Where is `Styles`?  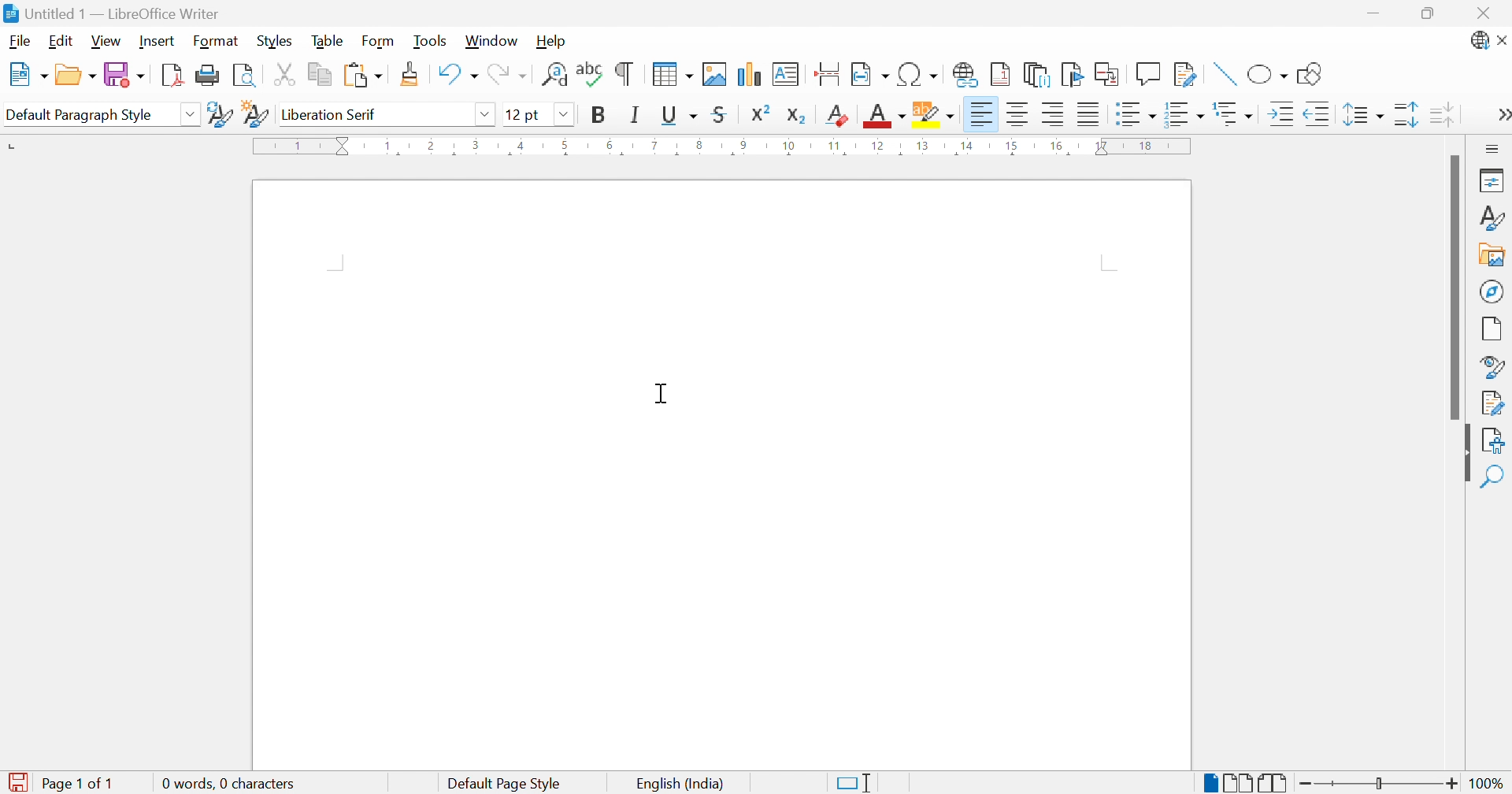 Styles is located at coordinates (279, 40).